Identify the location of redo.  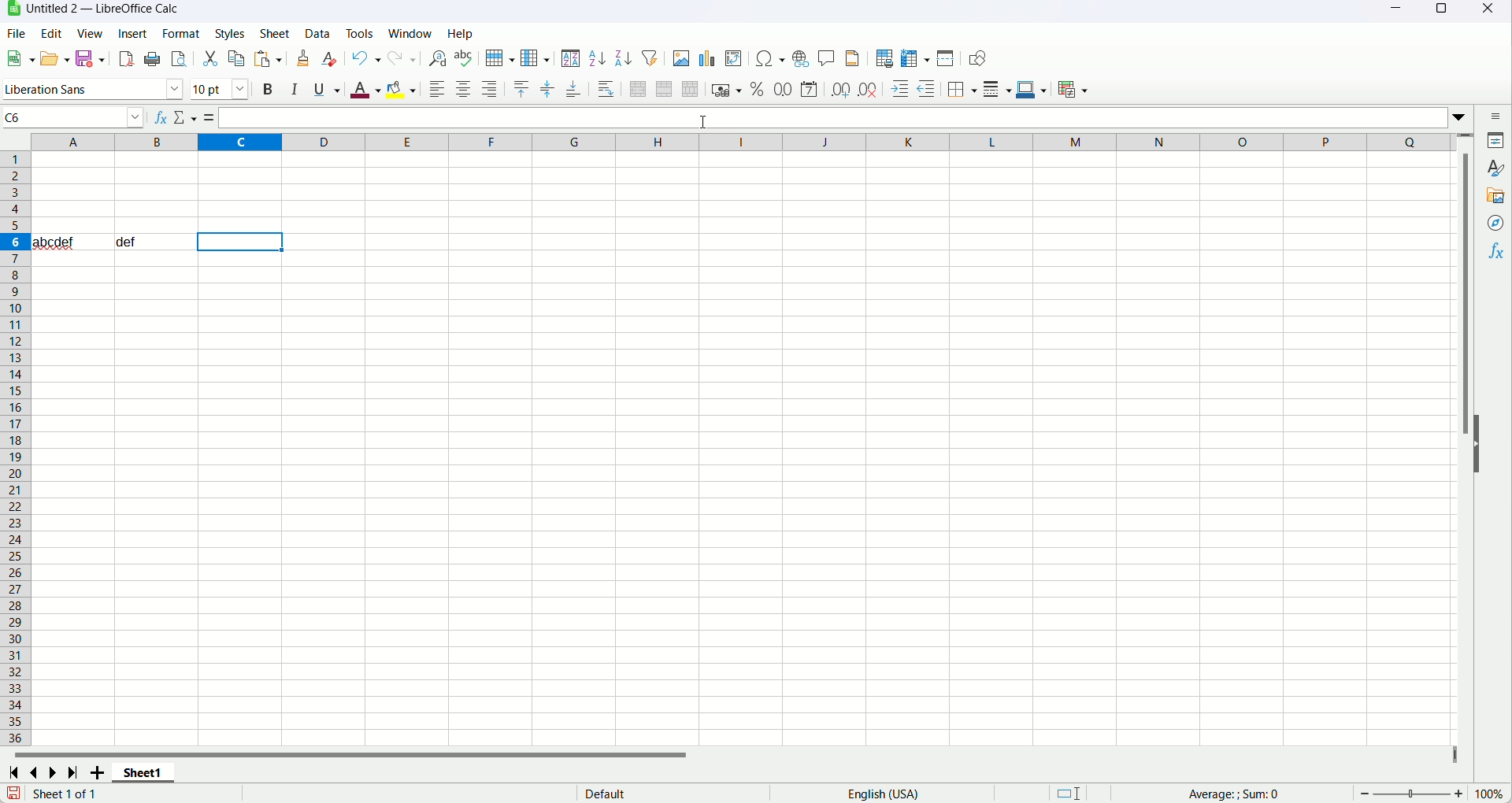
(402, 59).